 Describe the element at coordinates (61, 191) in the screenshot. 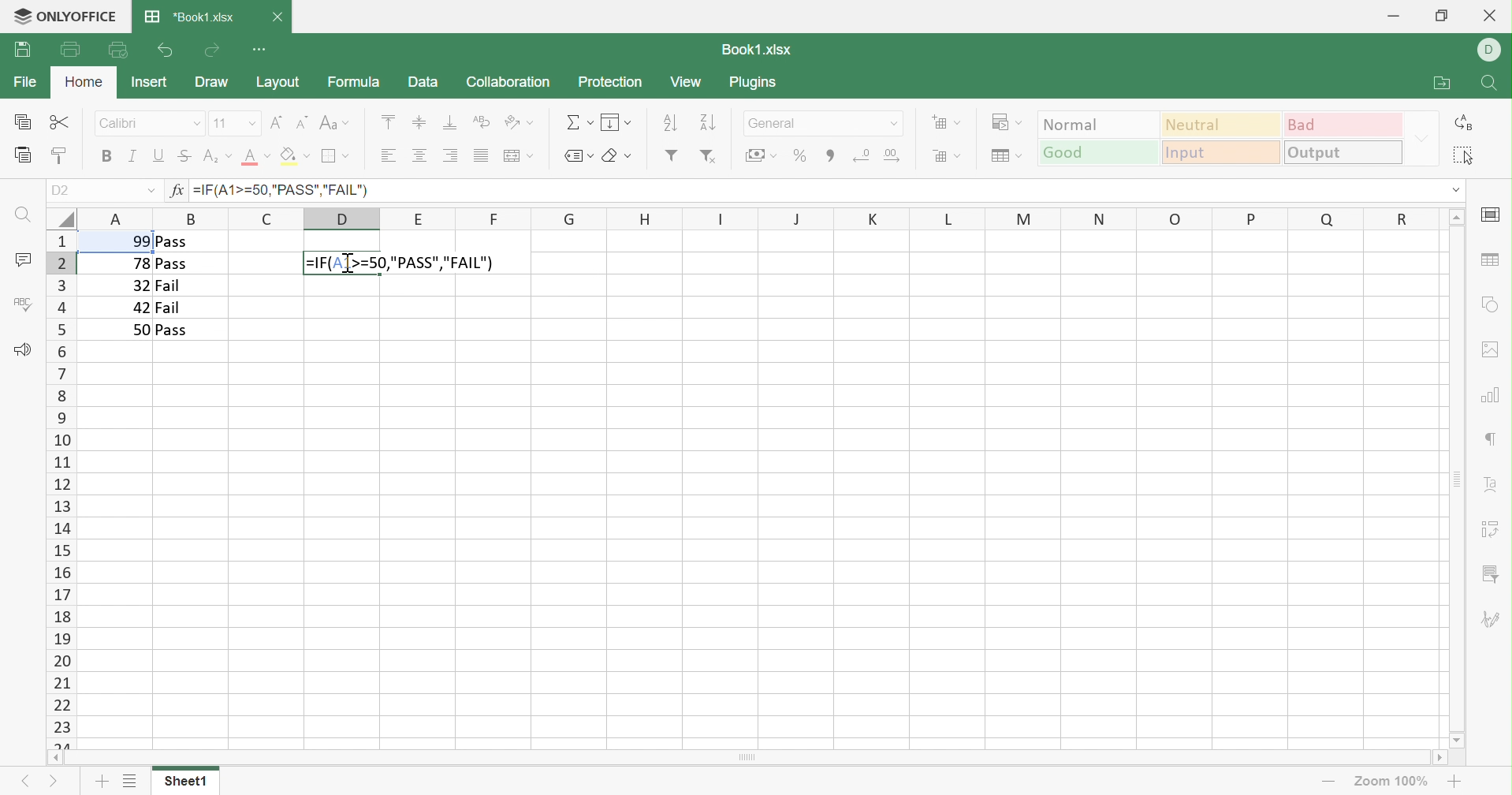

I see `D2` at that location.